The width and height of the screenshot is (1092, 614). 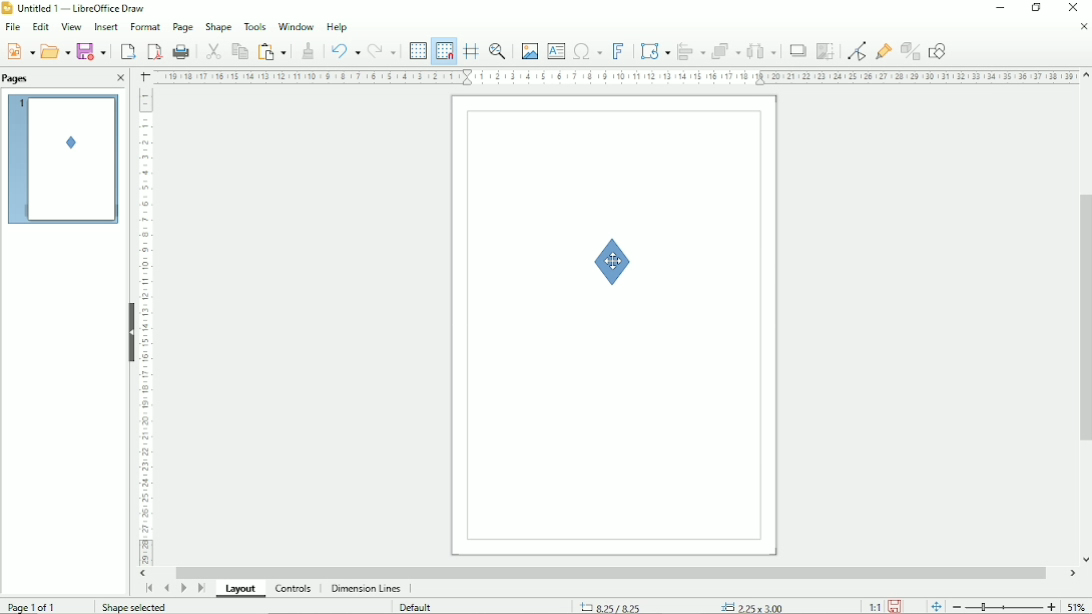 I want to click on Help, so click(x=338, y=26).